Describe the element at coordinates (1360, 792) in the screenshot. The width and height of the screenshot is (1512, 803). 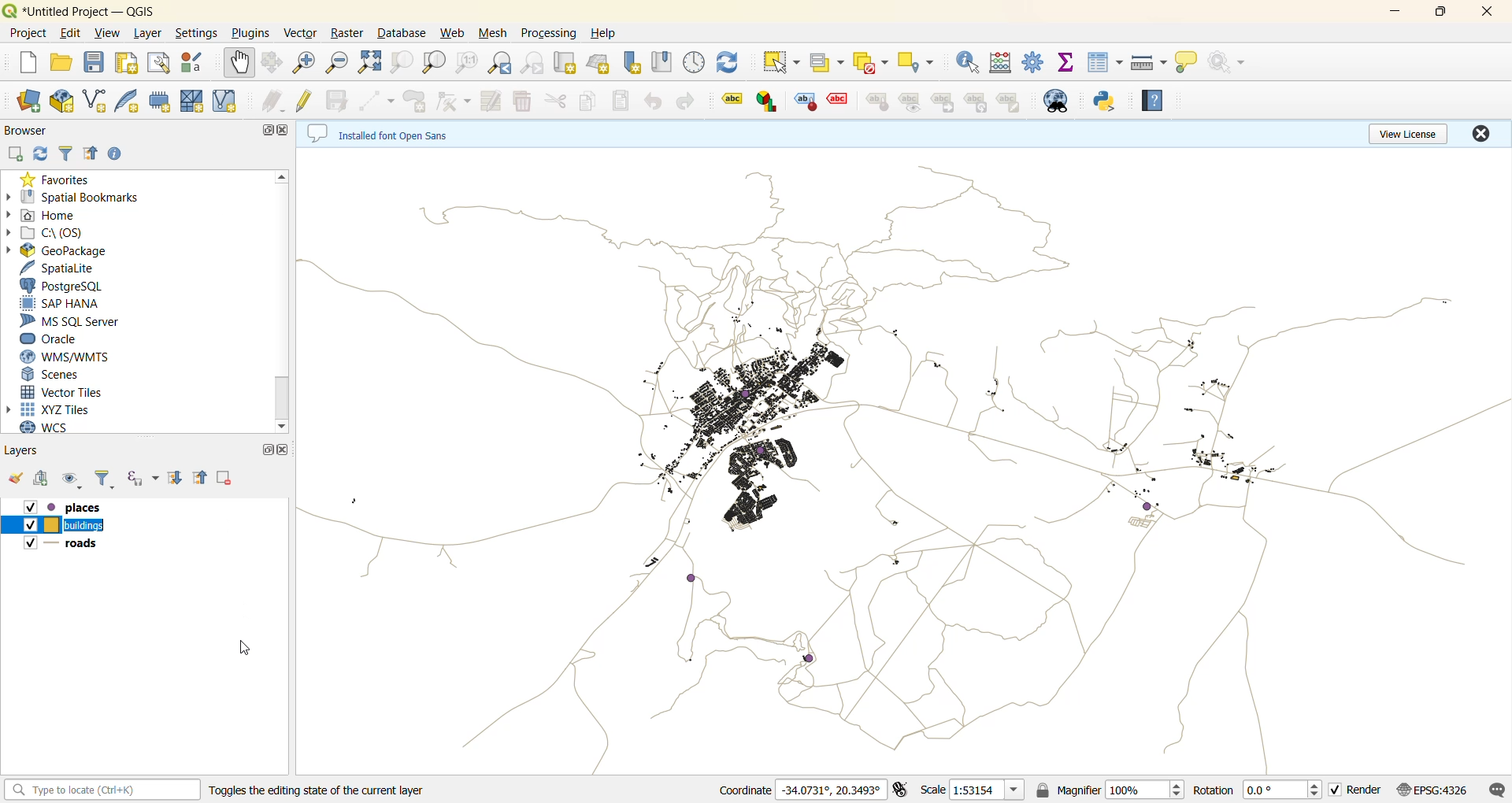
I see `render` at that location.